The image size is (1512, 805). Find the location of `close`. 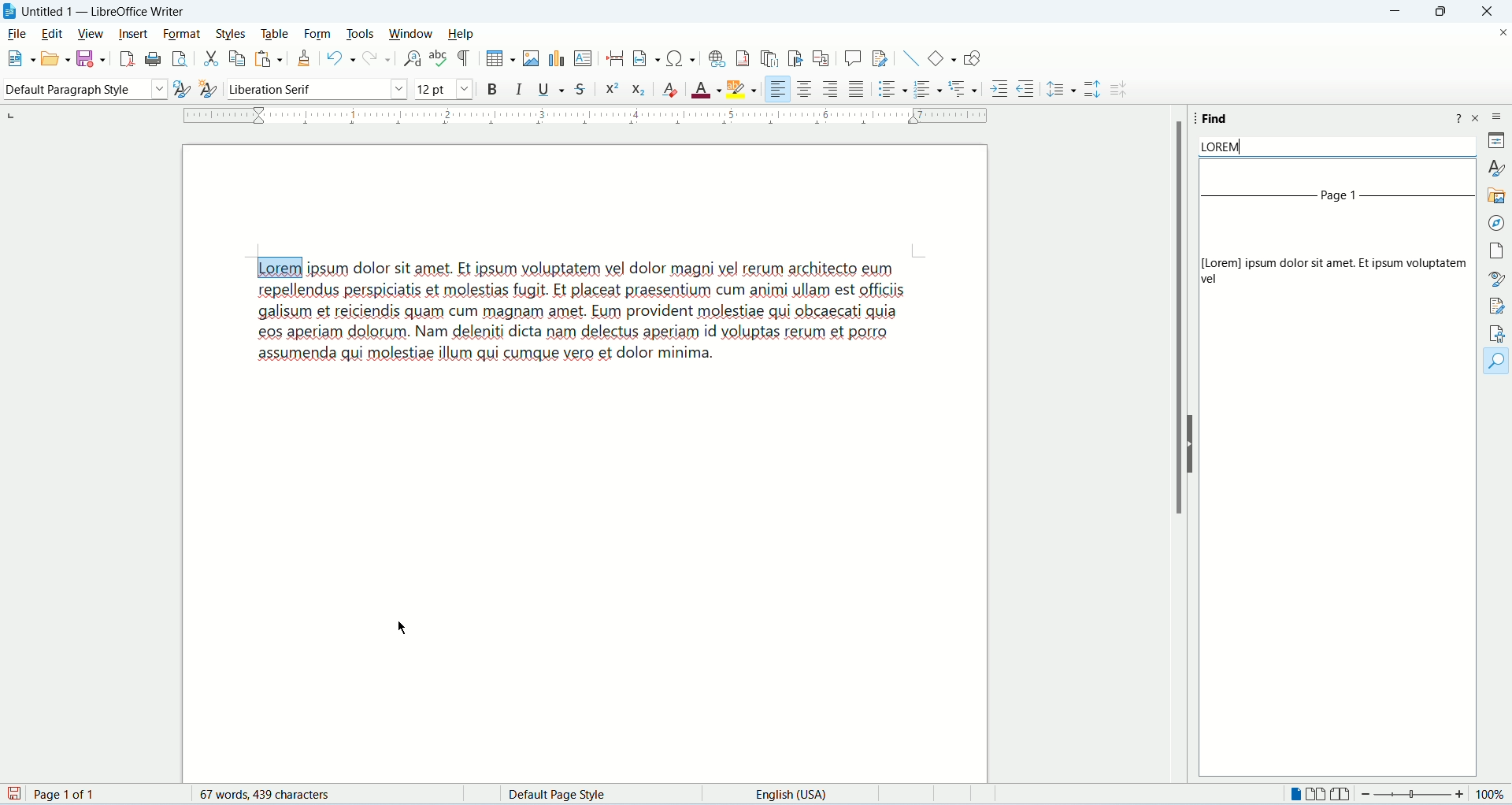

close is located at coordinates (1499, 35).